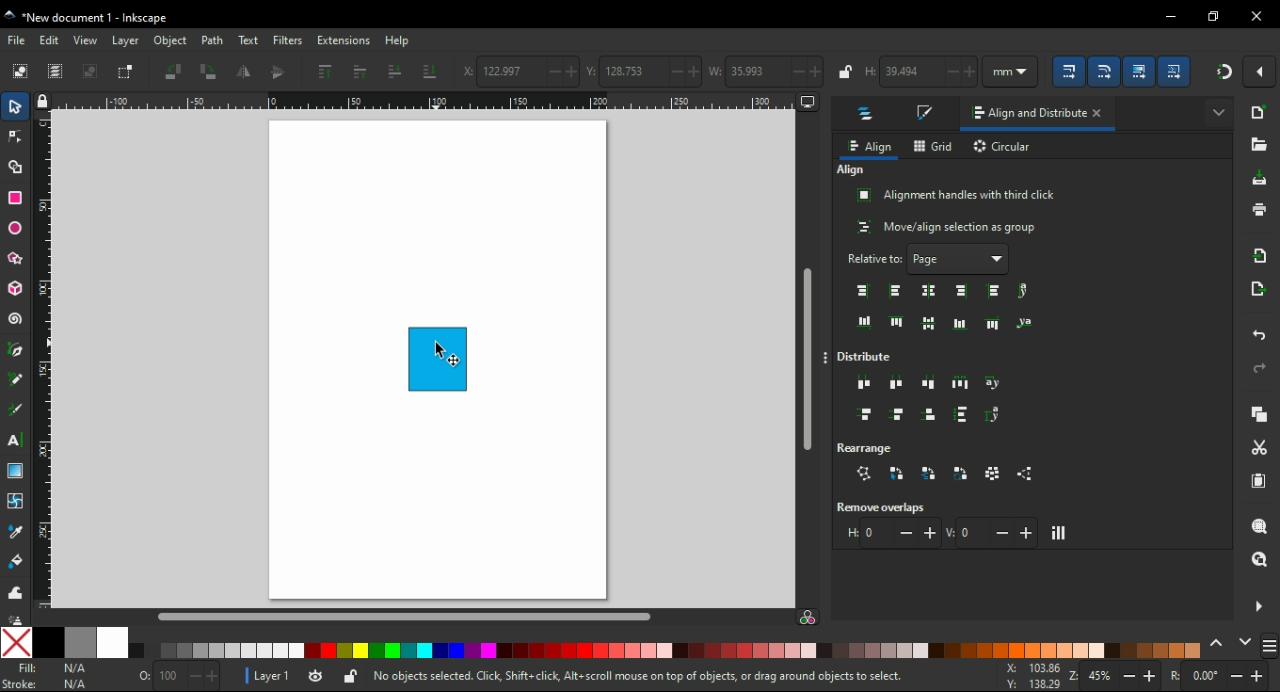  I want to click on more options, so click(826, 360).